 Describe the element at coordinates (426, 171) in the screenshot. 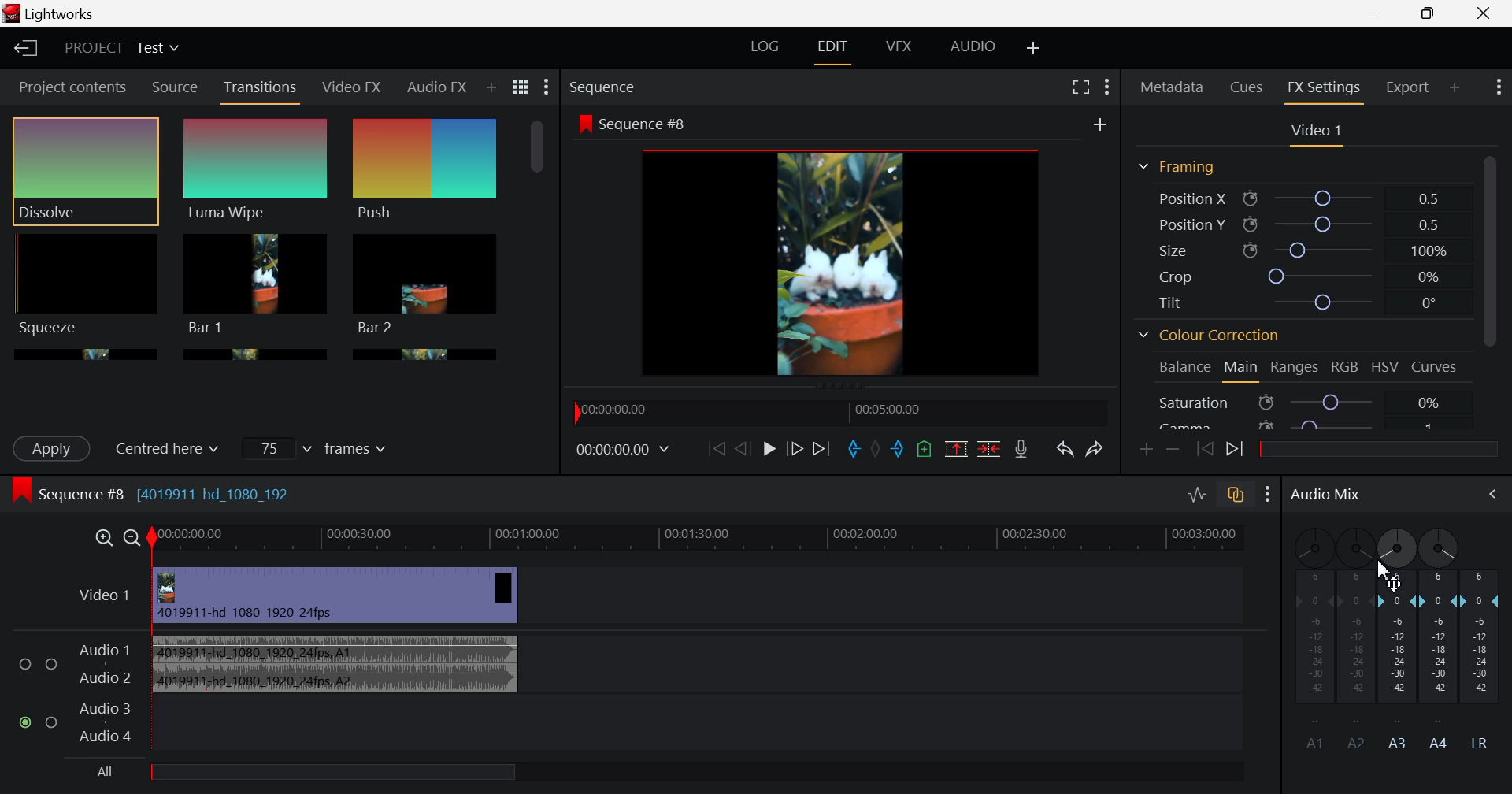

I see `Push` at that location.